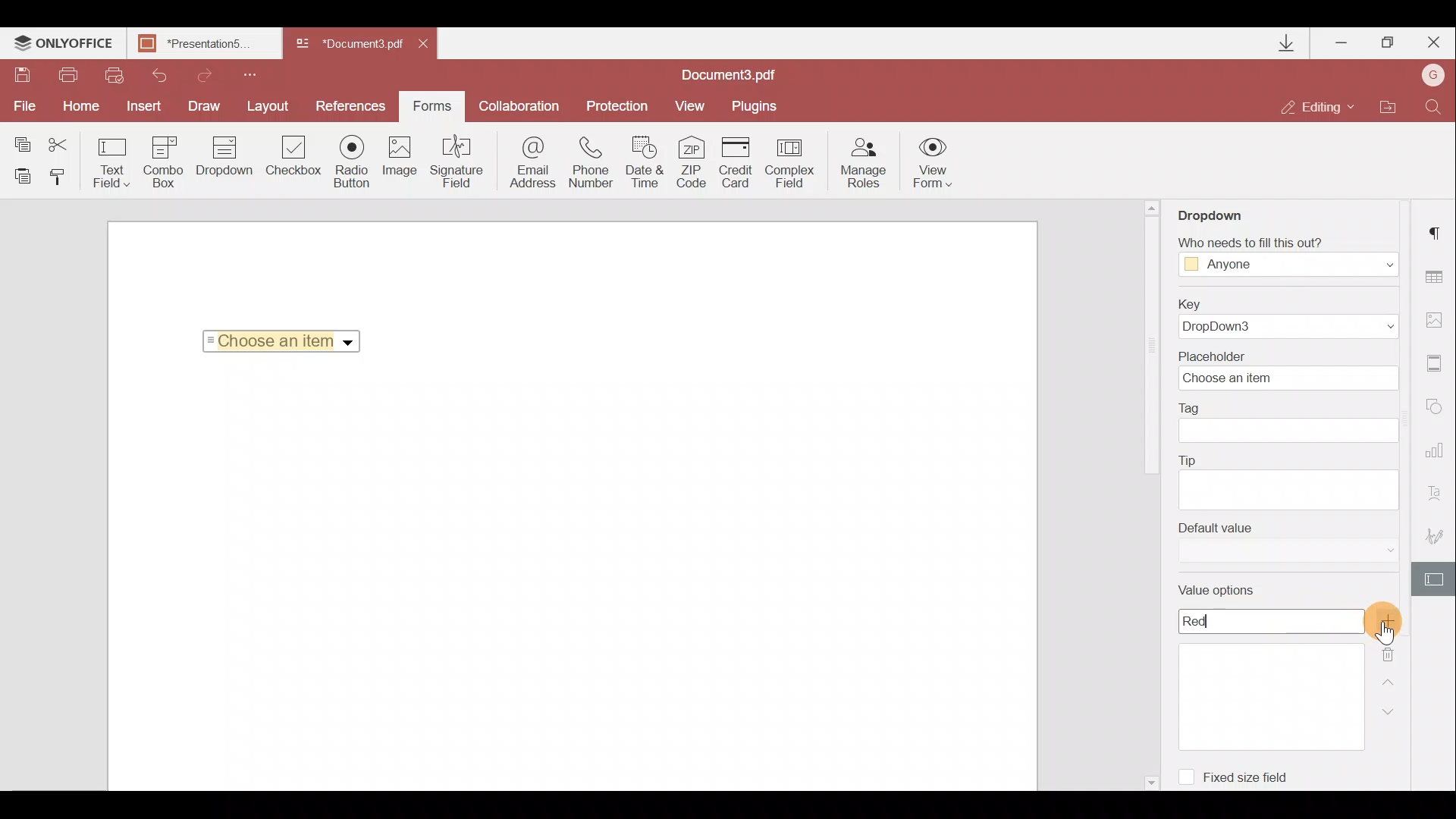 The width and height of the screenshot is (1456, 819). Describe the element at coordinates (1387, 620) in the screenshot. I see `Add` at that location.